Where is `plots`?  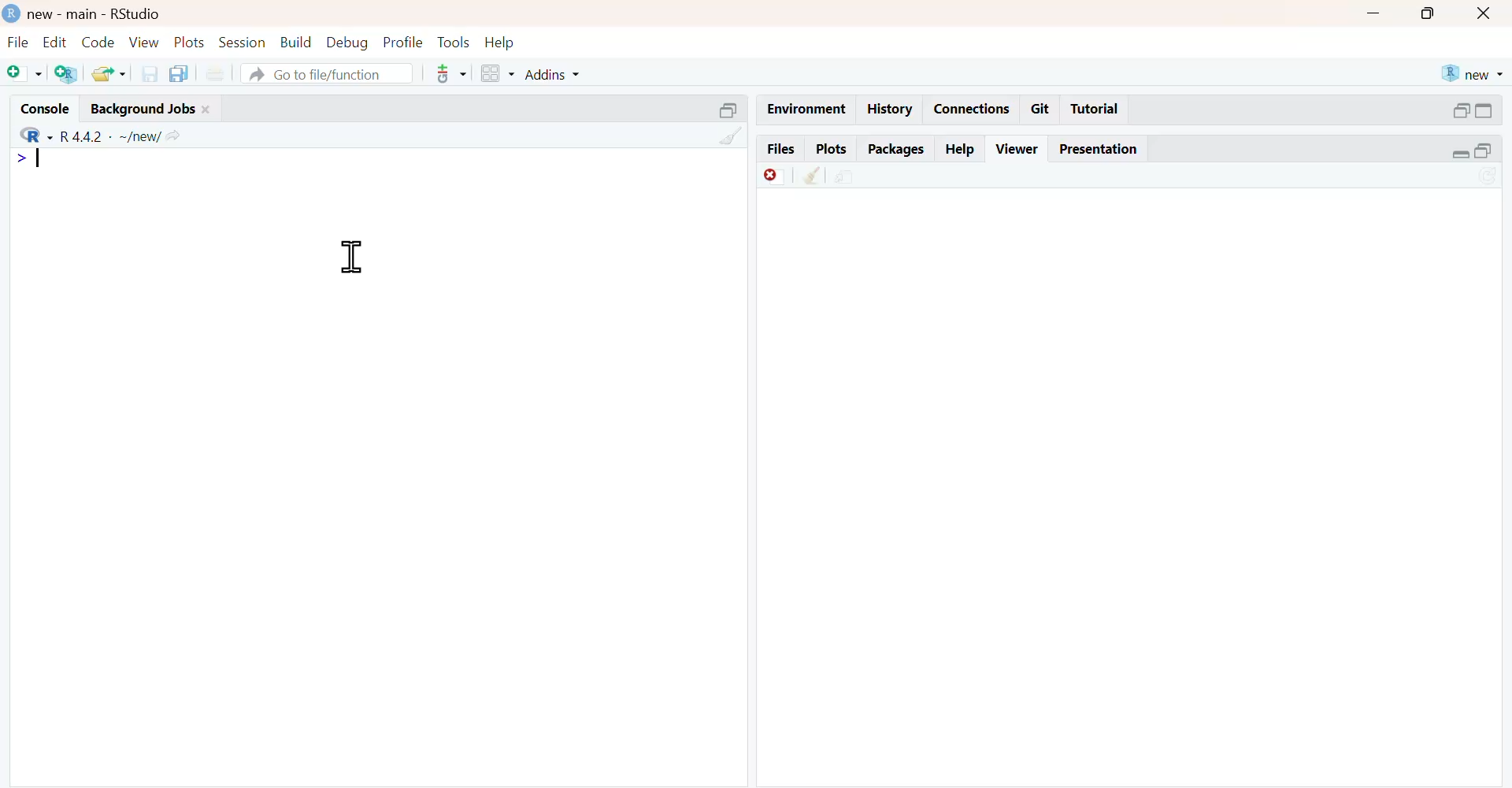 plots is located at coordinates (833, 149).